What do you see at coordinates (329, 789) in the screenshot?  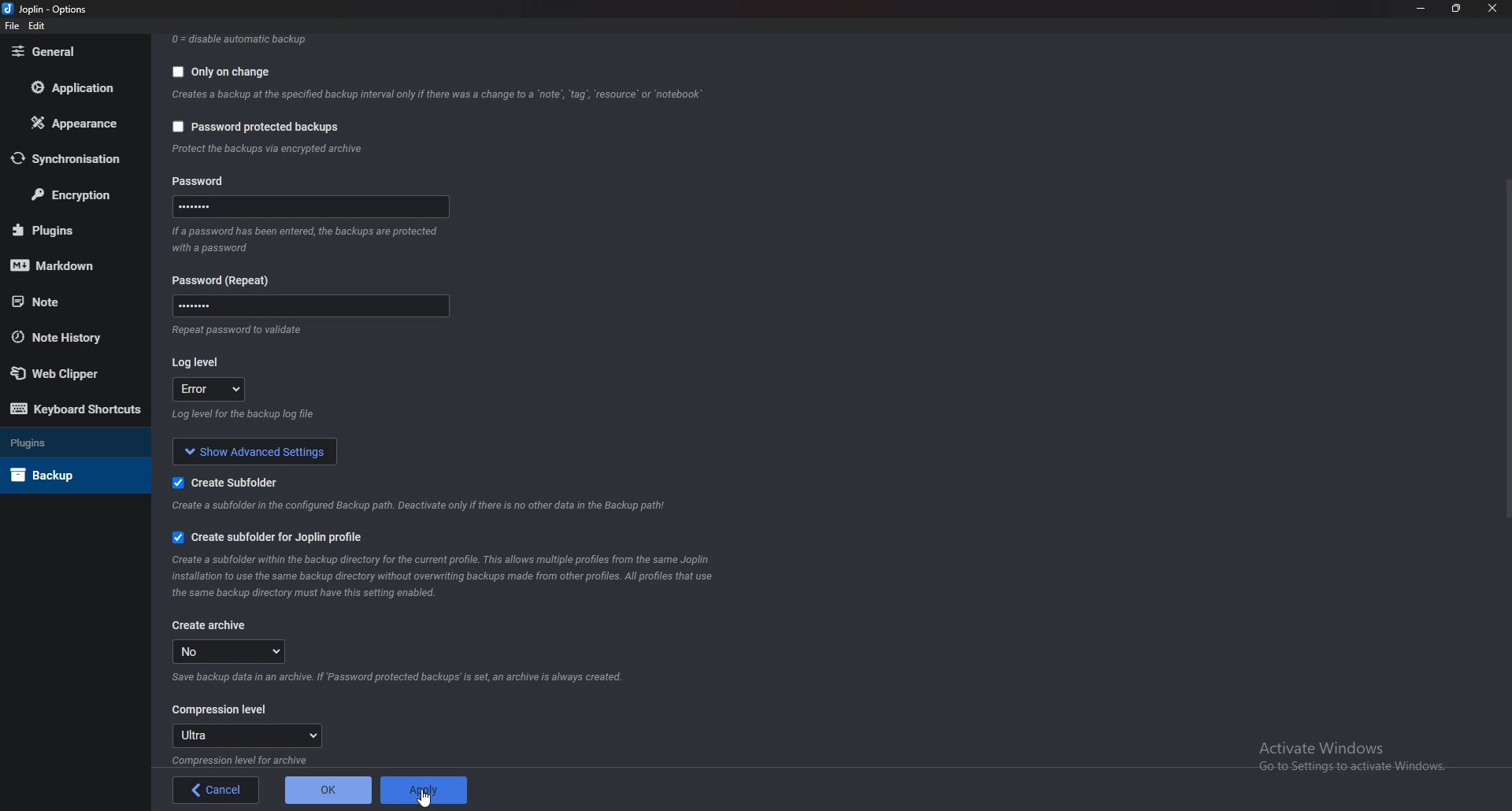 I see `O K` at bounding box center [329, 789].